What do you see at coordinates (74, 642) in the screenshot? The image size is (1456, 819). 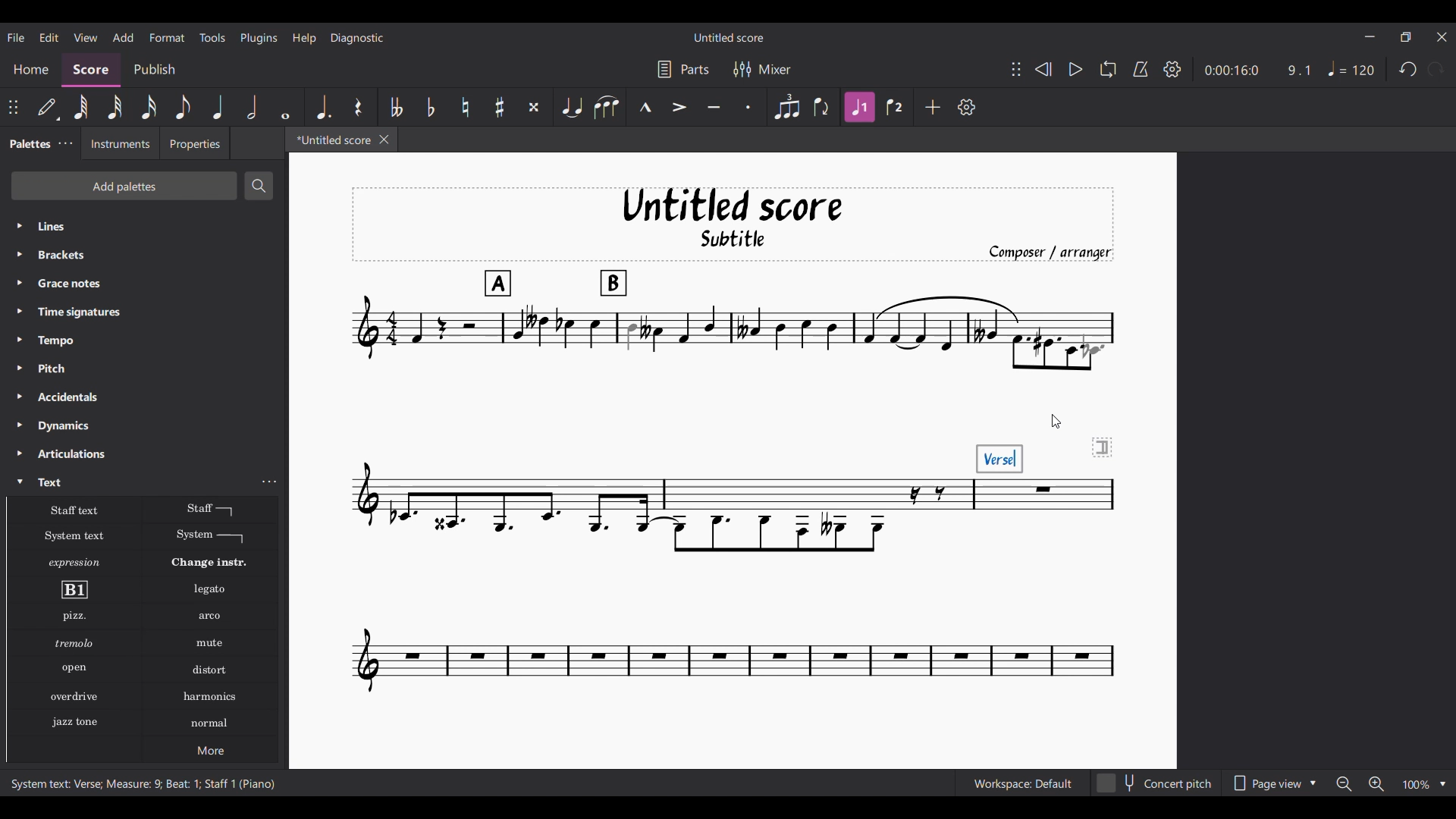 I see `Tremolo` at bounding box center [74, 642].